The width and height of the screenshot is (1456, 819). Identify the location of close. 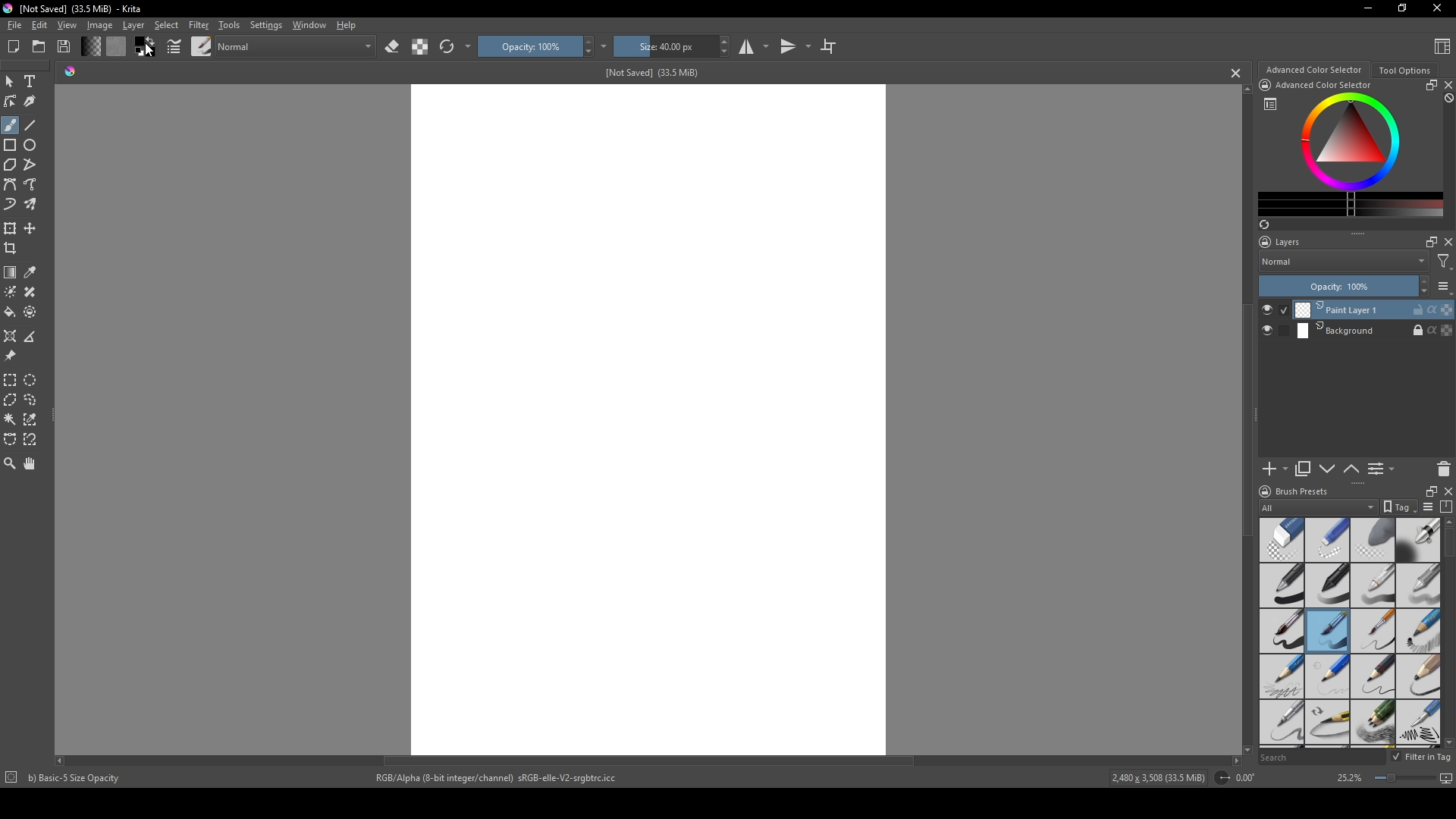
(1447, 491).